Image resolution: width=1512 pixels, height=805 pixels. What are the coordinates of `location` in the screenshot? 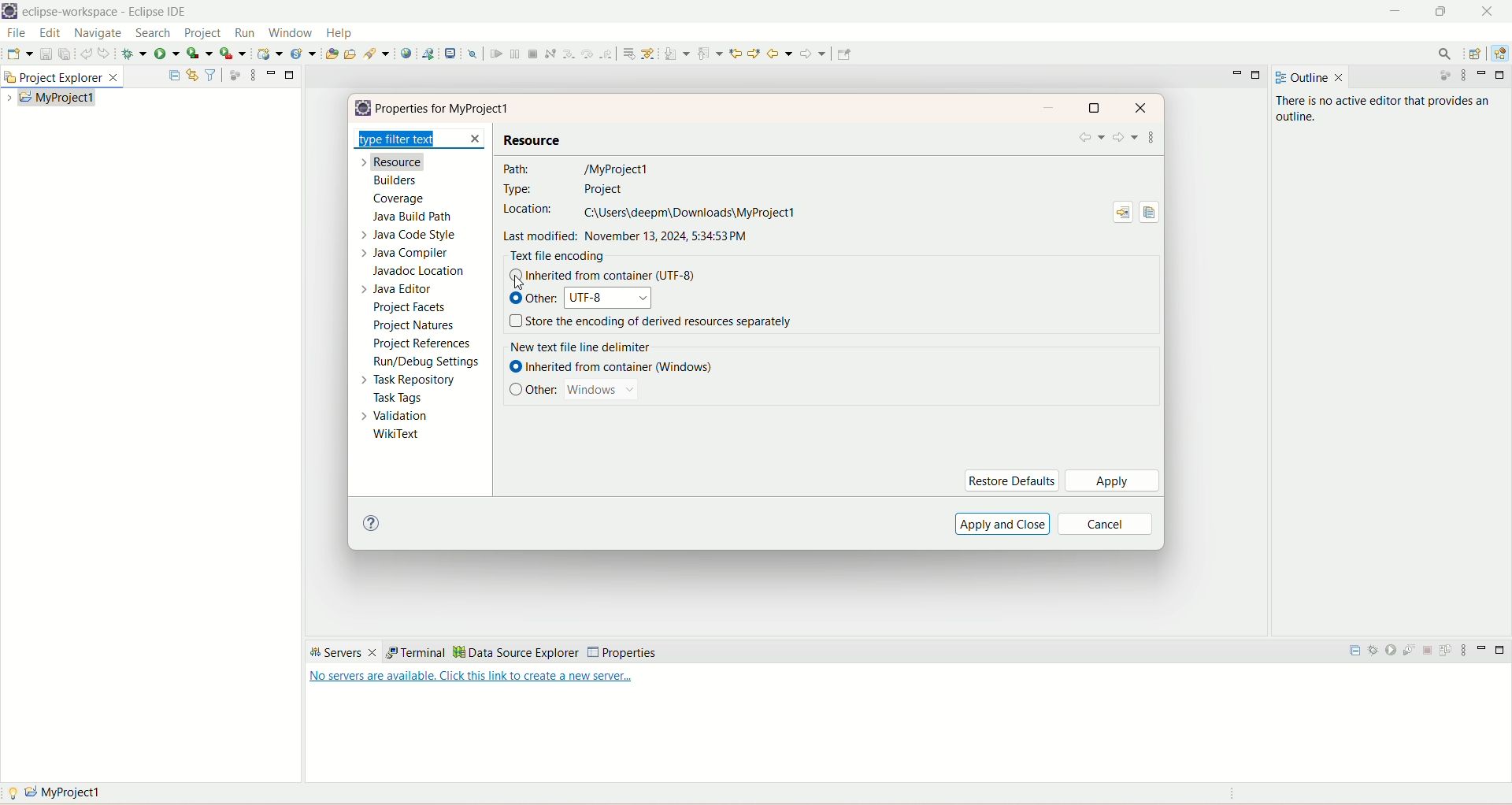 It's located at (650, 212).